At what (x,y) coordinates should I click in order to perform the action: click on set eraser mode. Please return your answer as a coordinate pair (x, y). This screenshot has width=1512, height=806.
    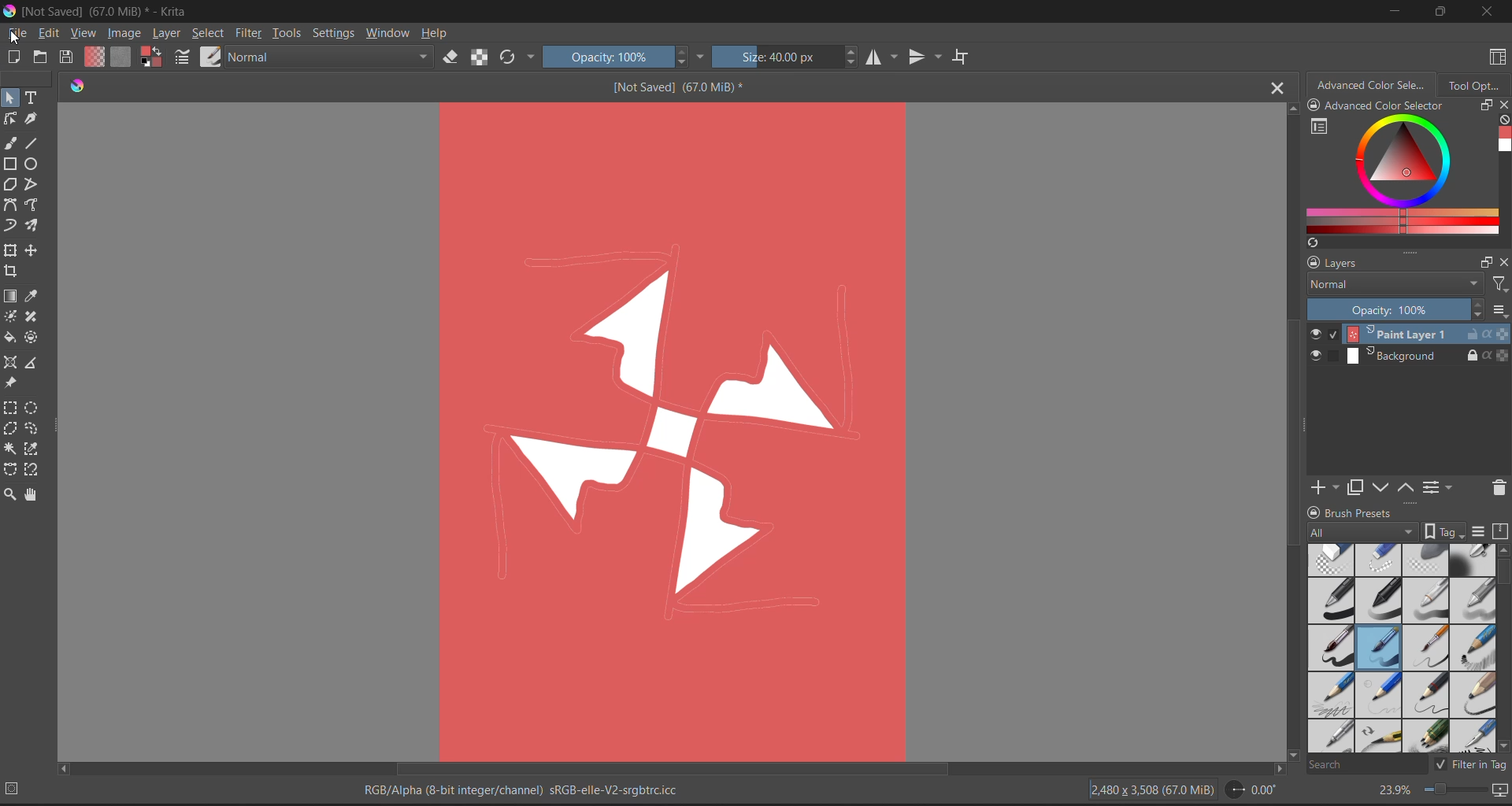
    Looking at the image, I should click on (450, 58).